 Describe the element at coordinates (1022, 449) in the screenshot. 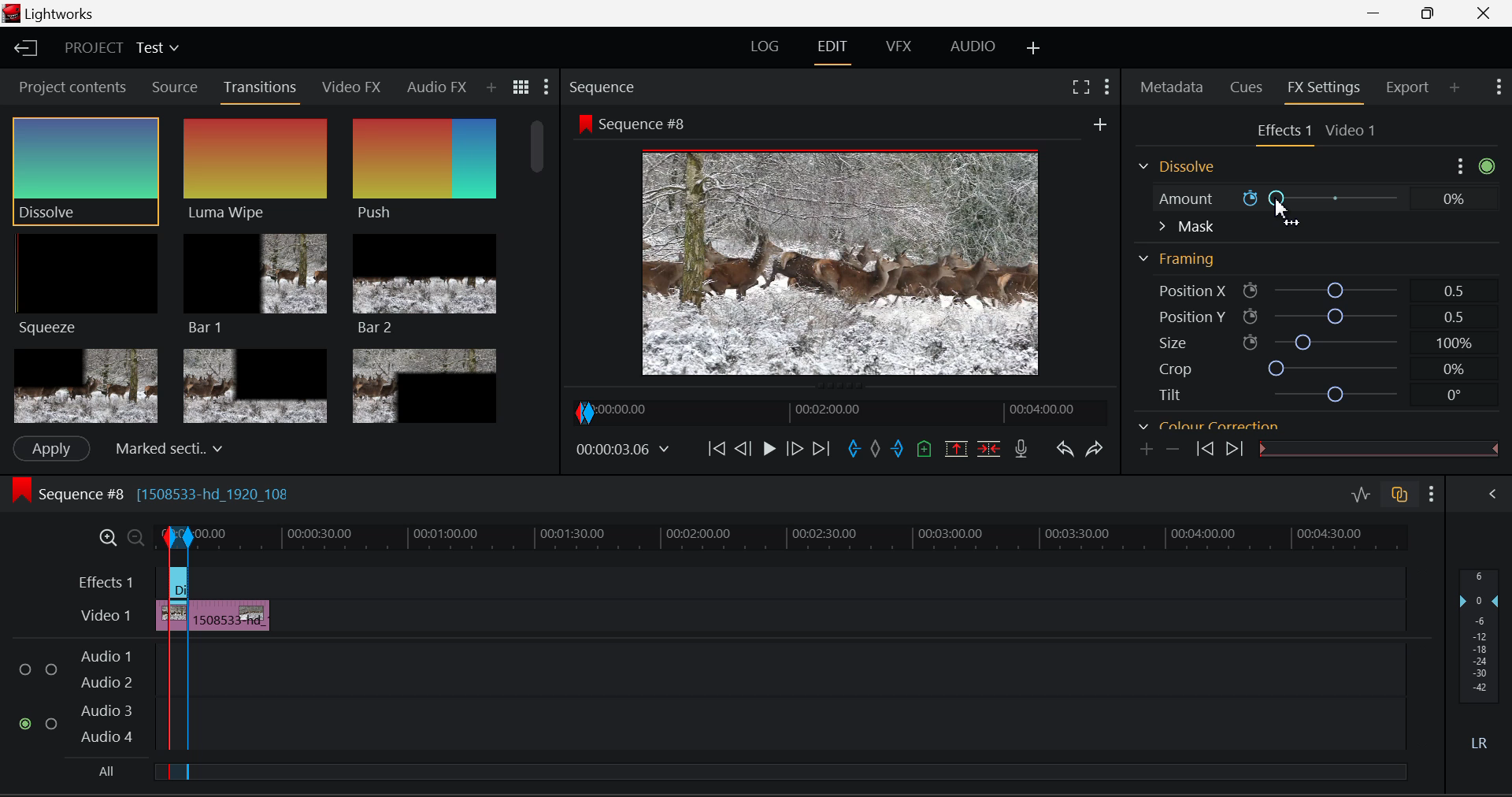

I see `Record Voiceover` at that location.